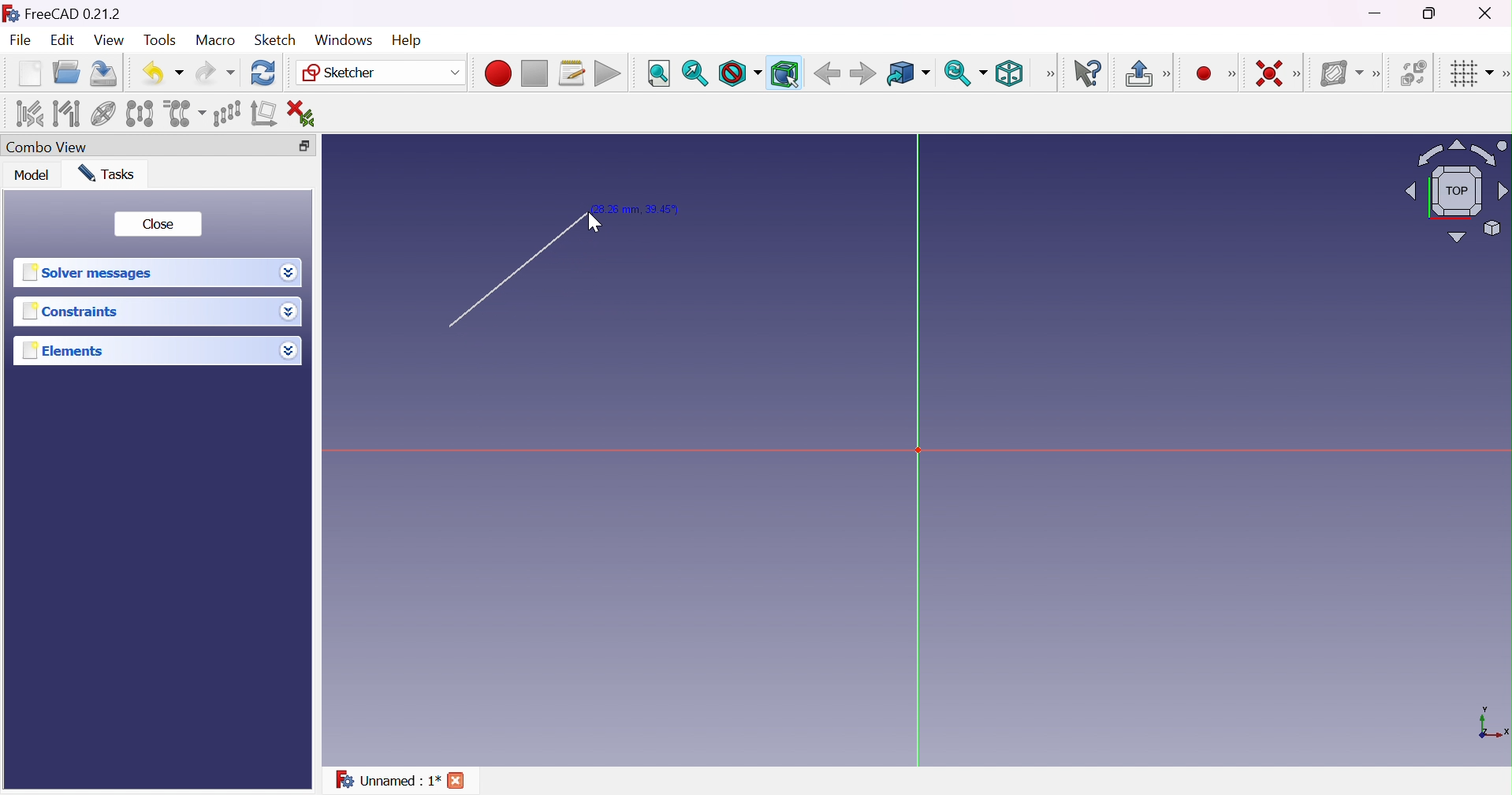 Image resolution: width=1512 pixels, height=795 pixels. What do you see at coordinates (160, 225) in the screenshot?
I see `Close` at bounding box center [160, 225].